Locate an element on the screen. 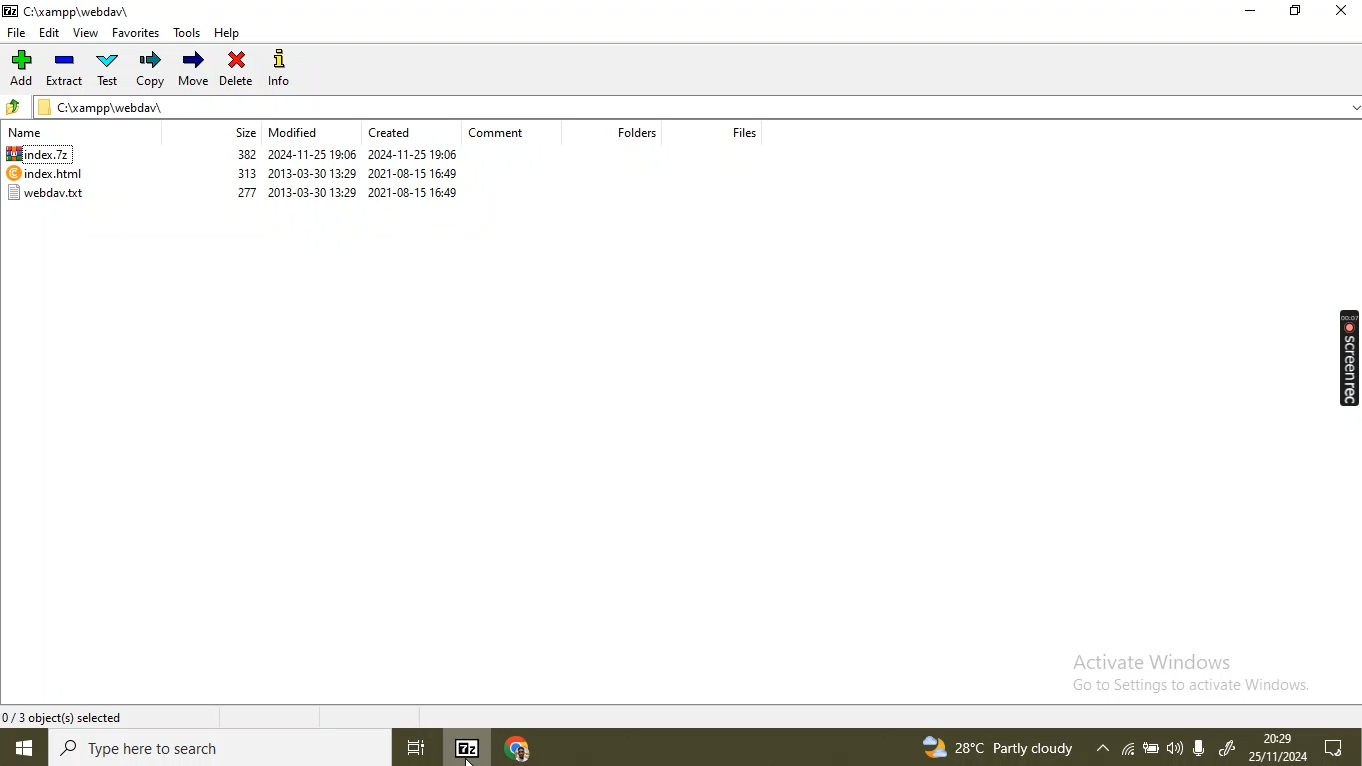   is located at coordinates (313, 154).